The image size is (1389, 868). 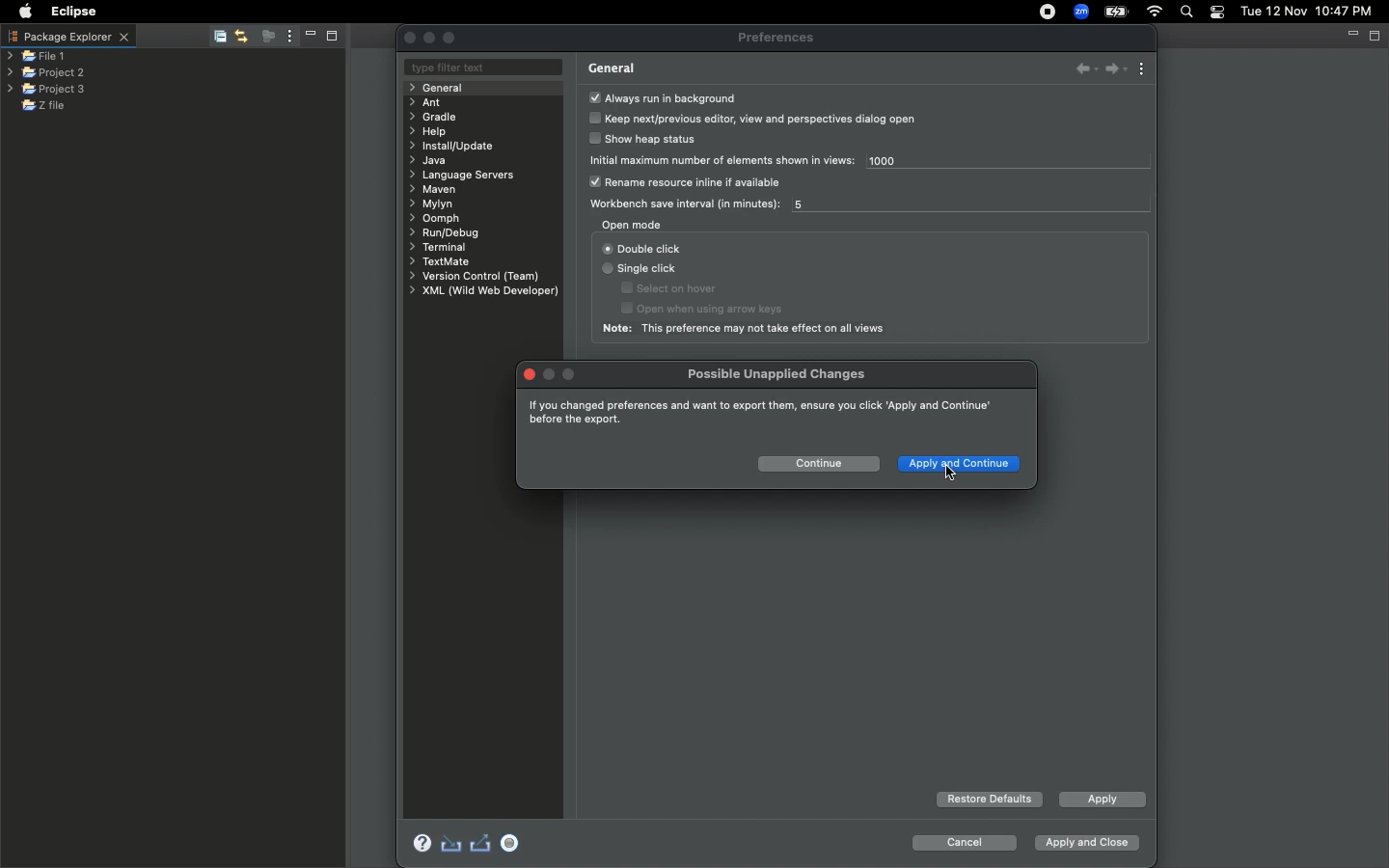 I want to click on If you changed preferences and want to export them, ensure you click Apply and continue before the export. , so click(x=758, y=411).